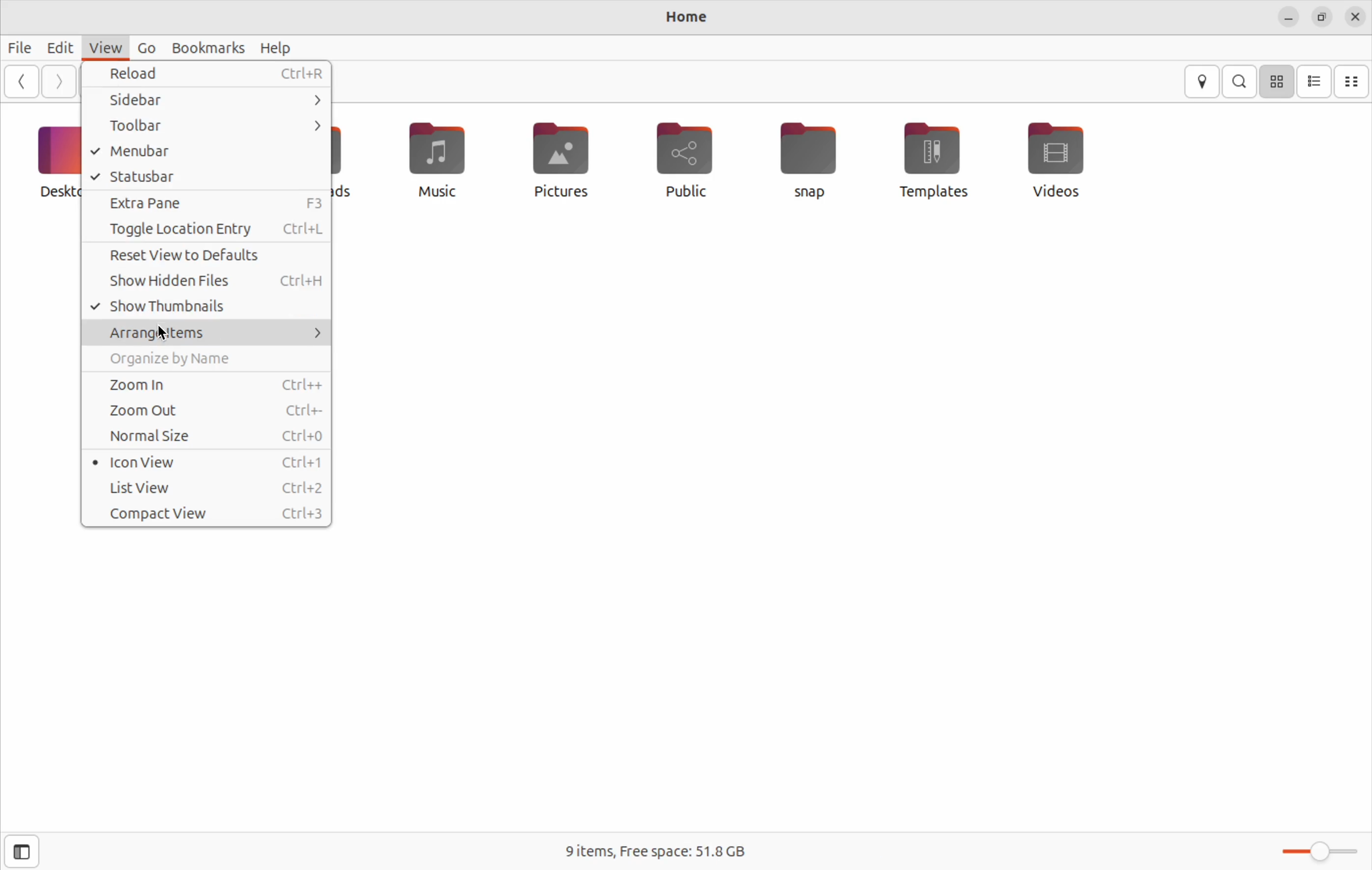 The width and height of the screenshot is (1372, 870). What do you see at coordinates (210, 383) in the screenshot?
I see `zoom in` at bounding box center [210, 383].